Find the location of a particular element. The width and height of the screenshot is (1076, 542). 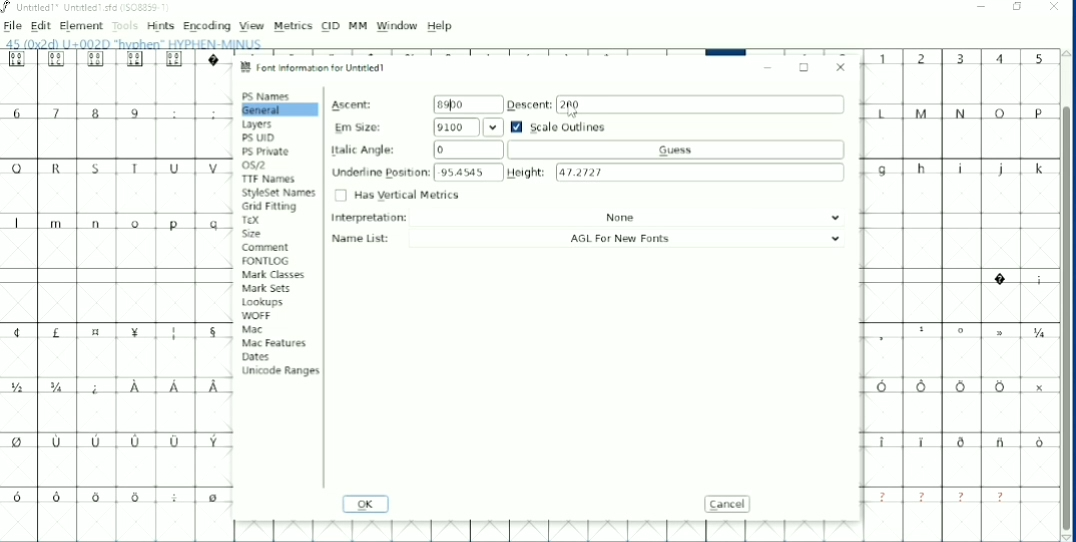

Grid Fitting is located at coordinates (271, 207).